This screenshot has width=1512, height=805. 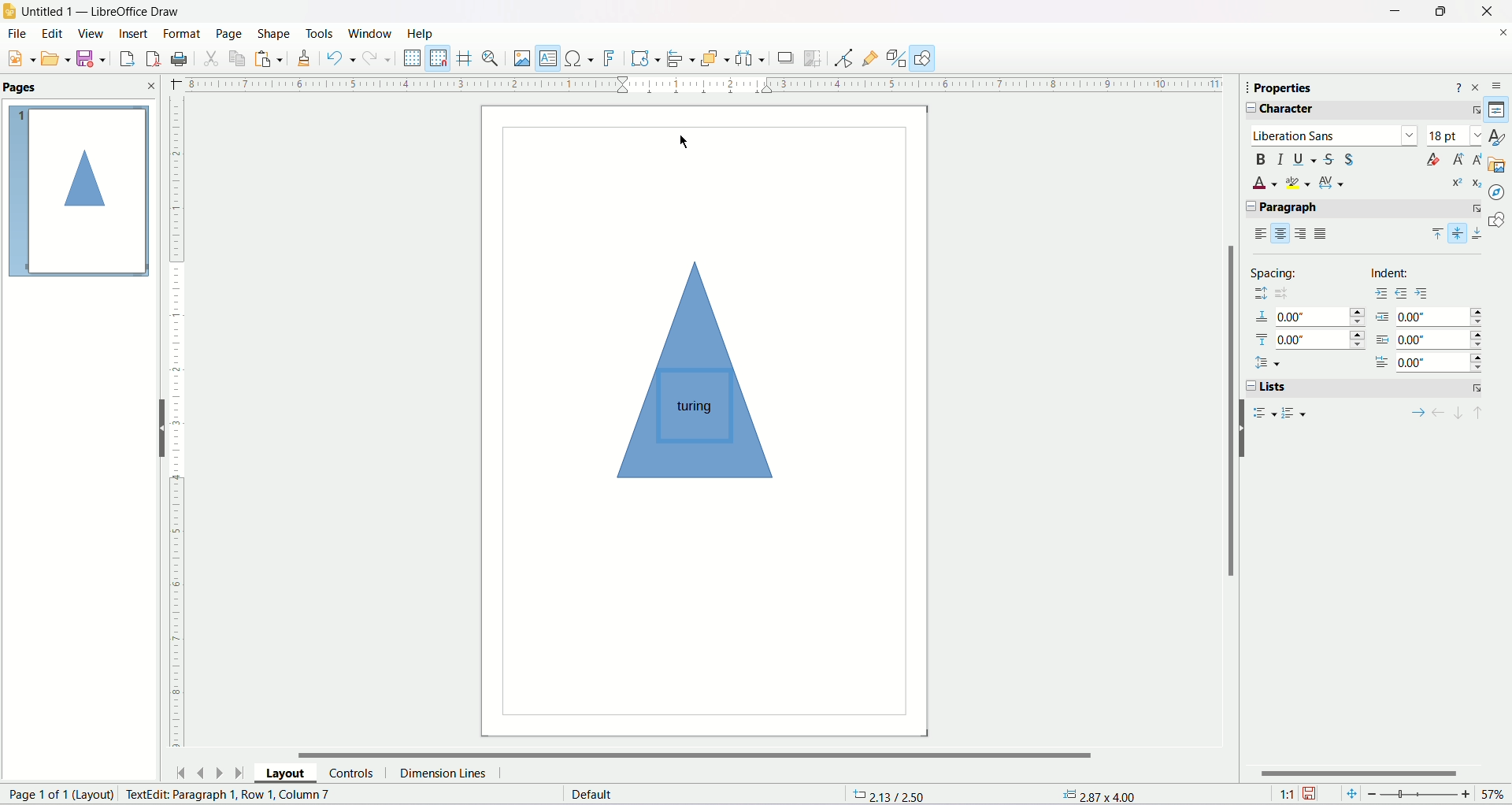 I want to click on Help, so click(x=425, y=33).